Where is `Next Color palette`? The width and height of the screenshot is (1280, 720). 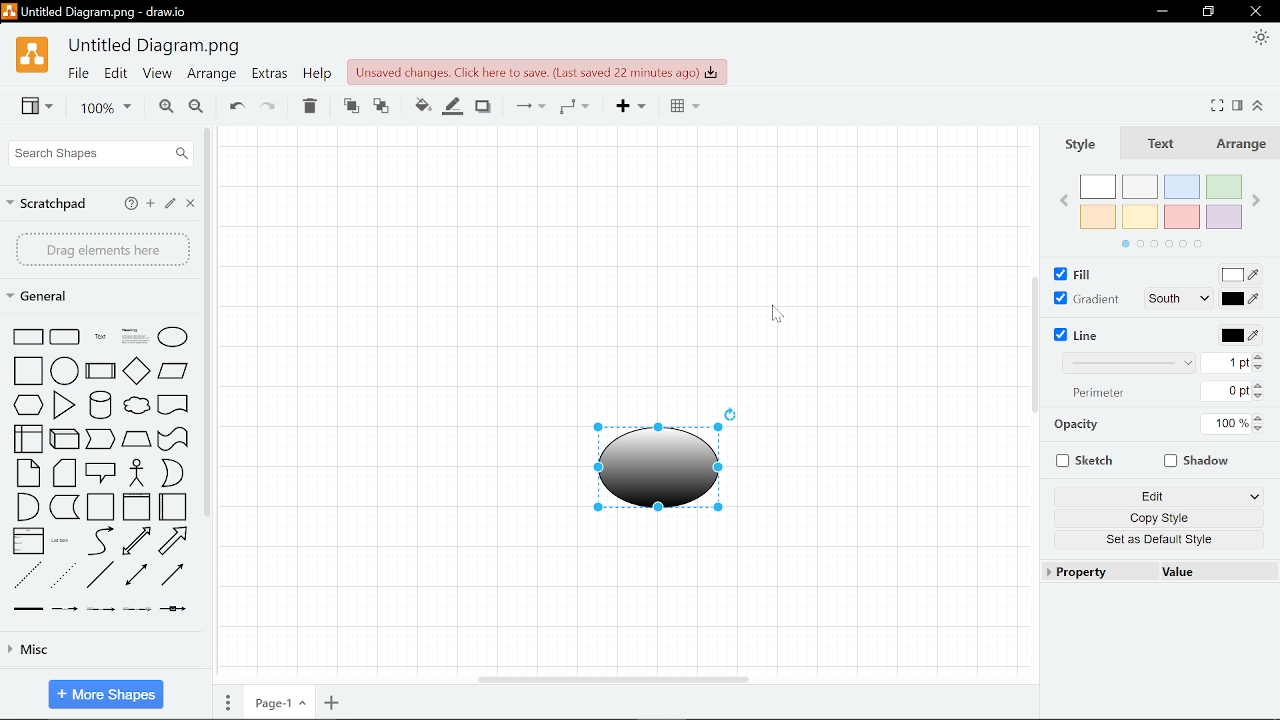 Next Color palette is located at coordinates (1260, 201).